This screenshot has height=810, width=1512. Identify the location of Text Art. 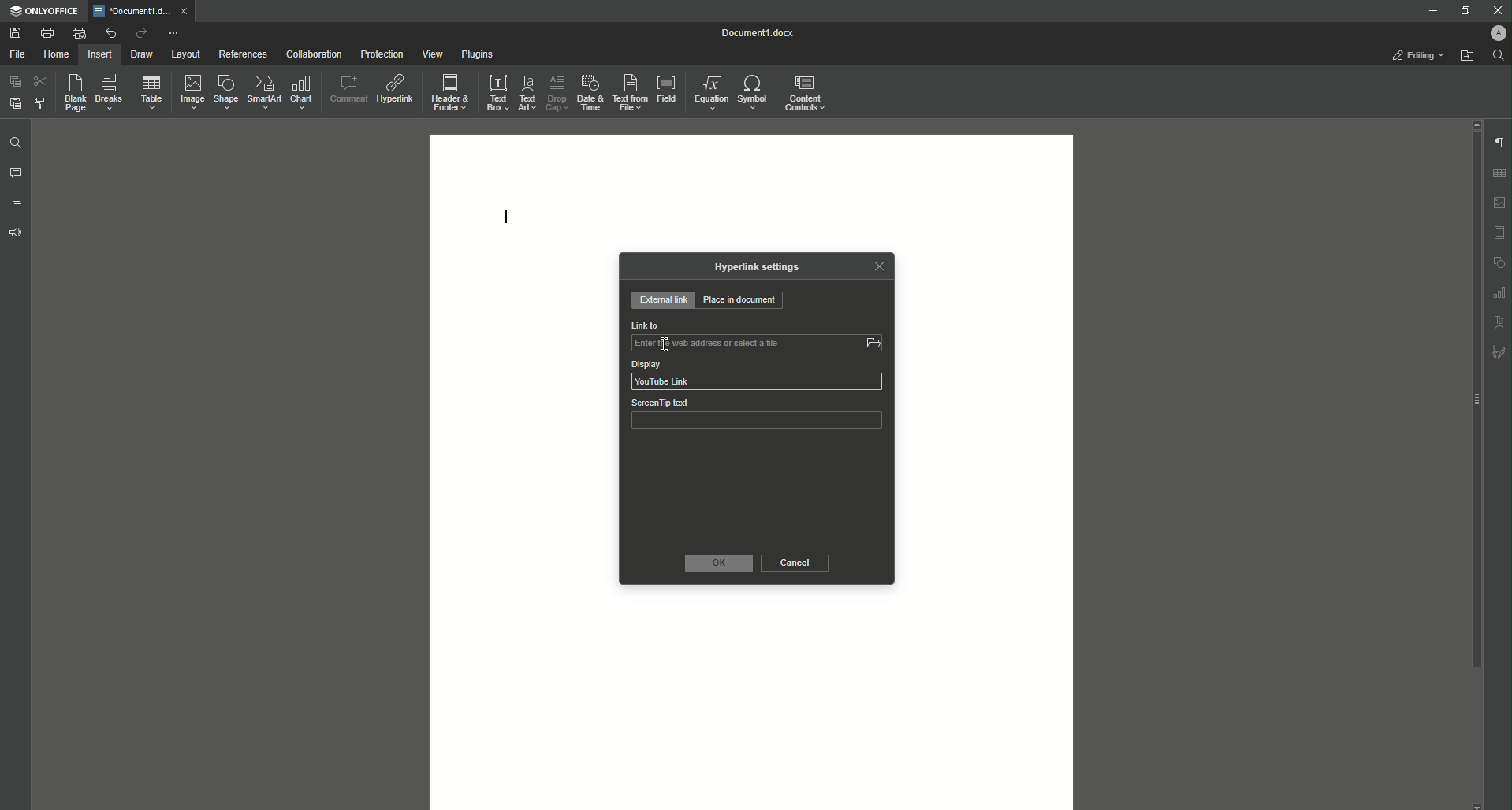
(528, 93).